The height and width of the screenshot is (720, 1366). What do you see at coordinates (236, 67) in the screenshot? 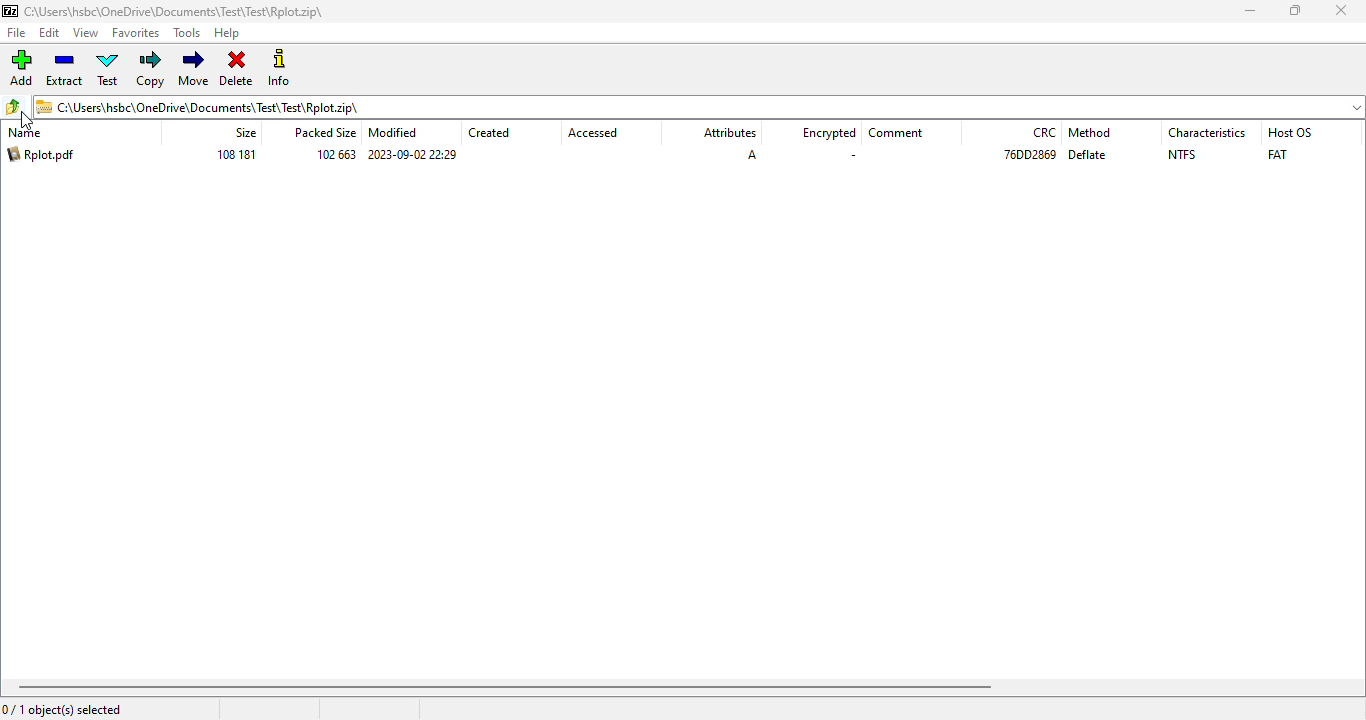
I see `delete` at bounding box center [236, 67].